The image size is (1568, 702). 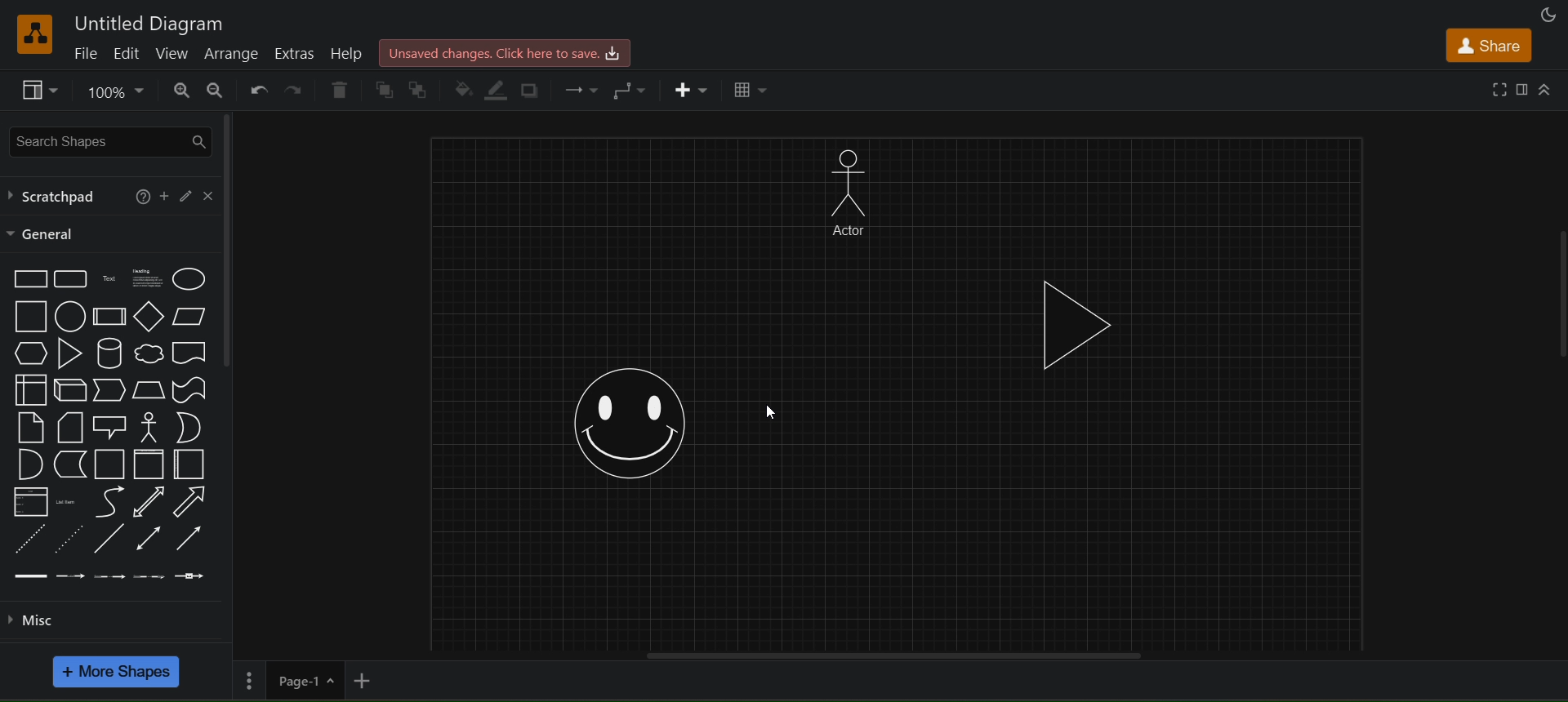 I want to click on manshape, so click(x=857, y=187).